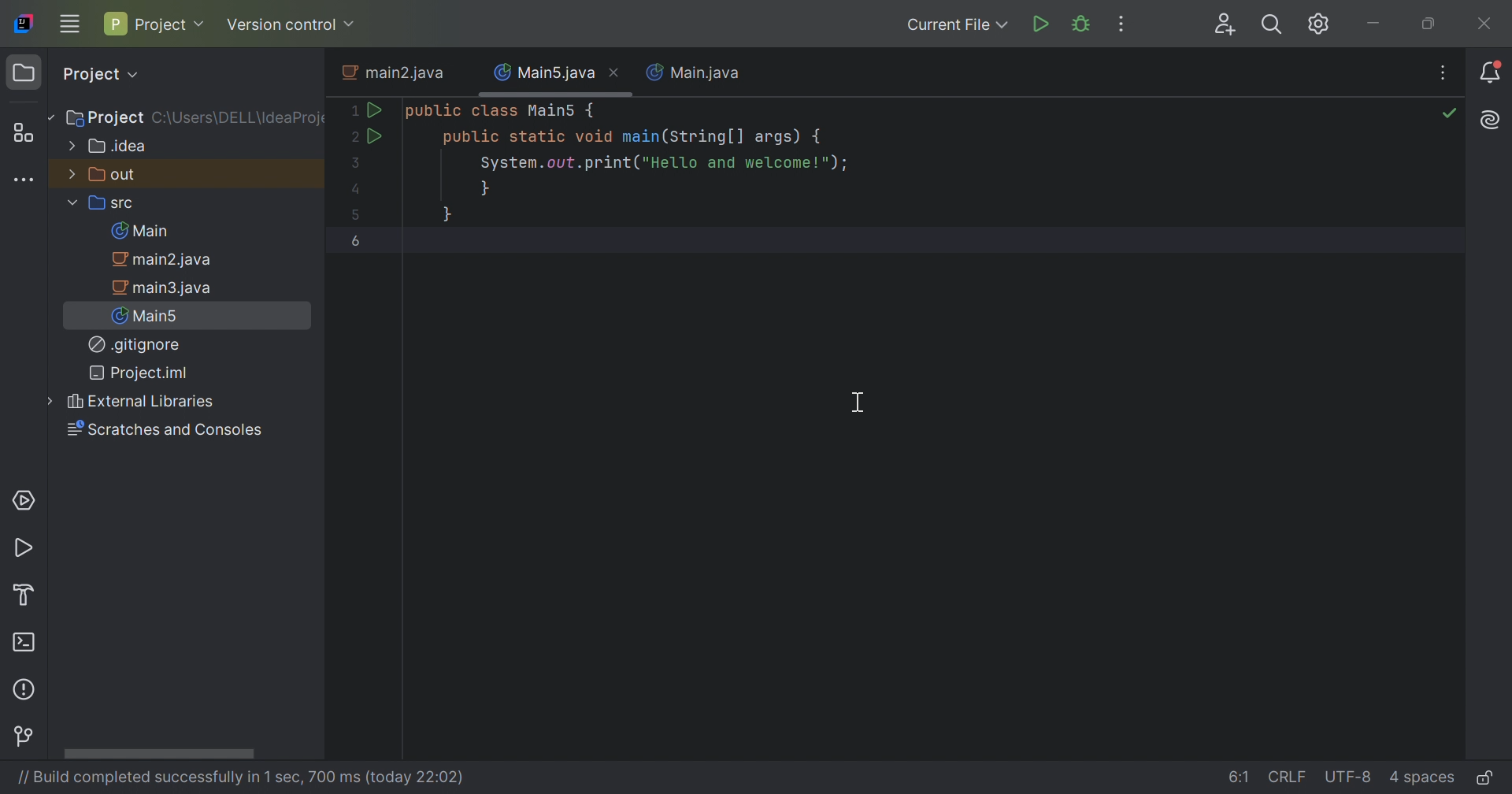 The width and height of the screenshot is (1512, 794). Describe the element at coordinates (1432, 26) in the screenshot. I see `Restore down` at that location.